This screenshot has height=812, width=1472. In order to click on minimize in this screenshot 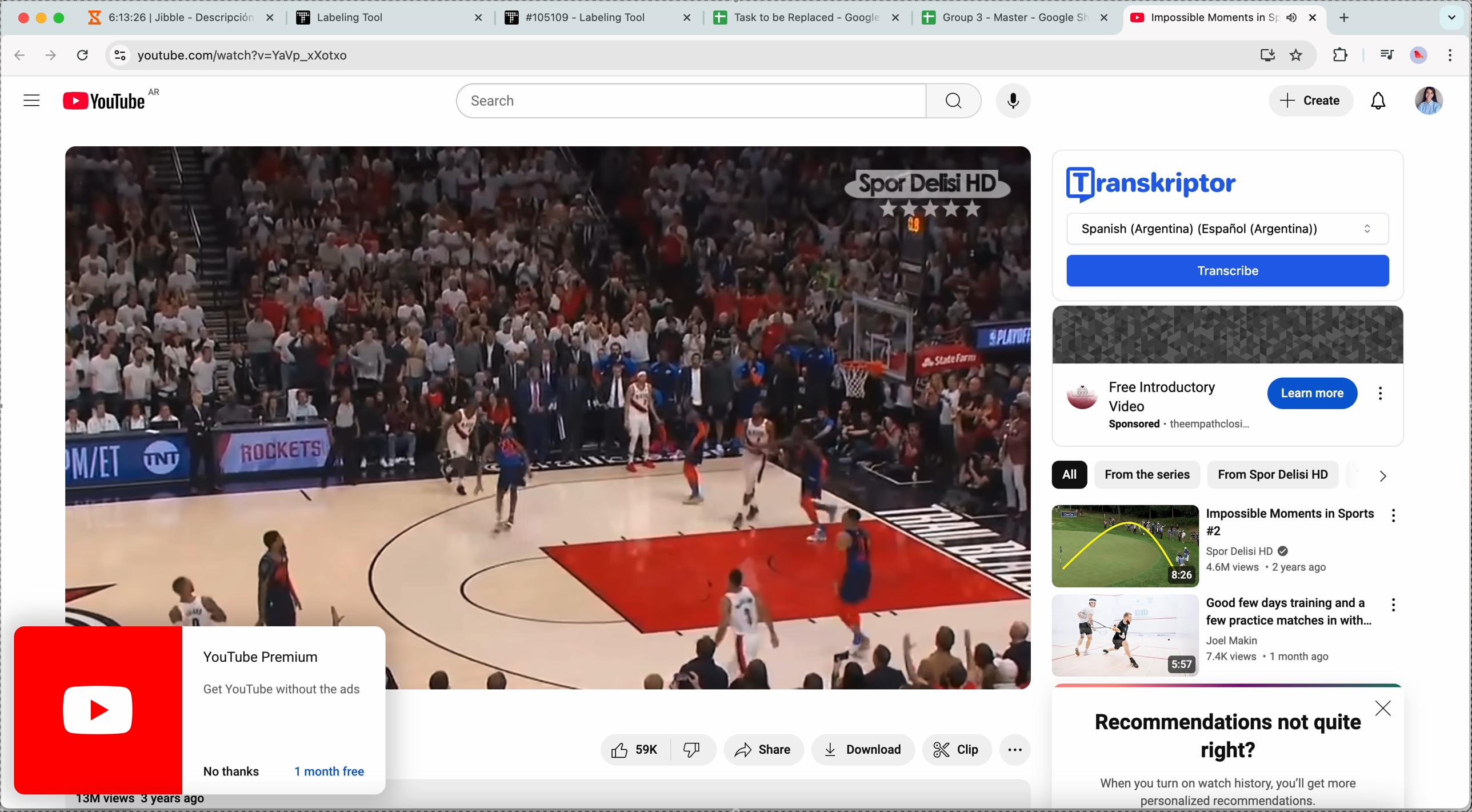, I will do `click(43, 17)`.